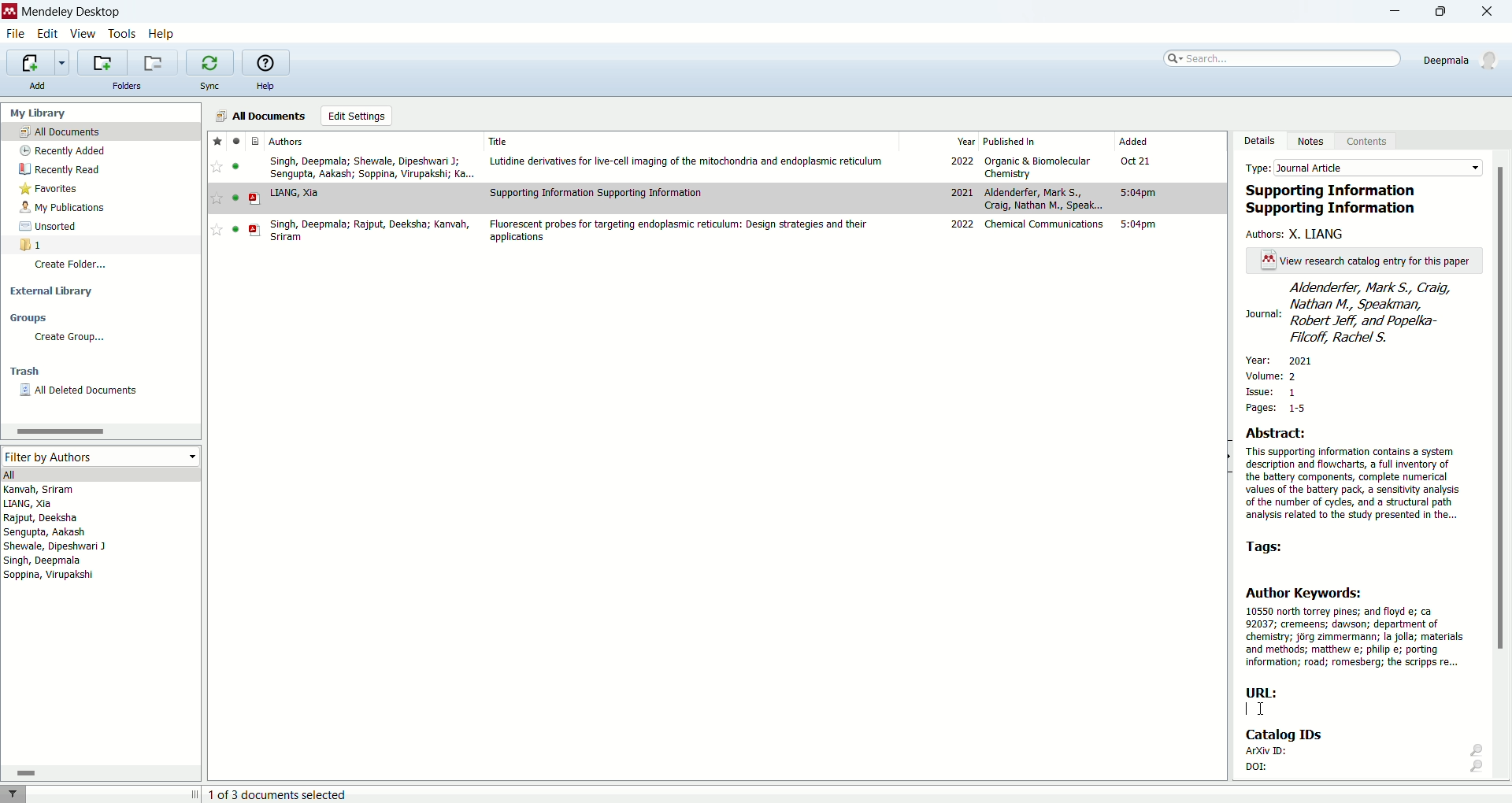 The height and width of the screenshot is (803, 1512). I want to click on Chemical Communications, so click(1044, 224).